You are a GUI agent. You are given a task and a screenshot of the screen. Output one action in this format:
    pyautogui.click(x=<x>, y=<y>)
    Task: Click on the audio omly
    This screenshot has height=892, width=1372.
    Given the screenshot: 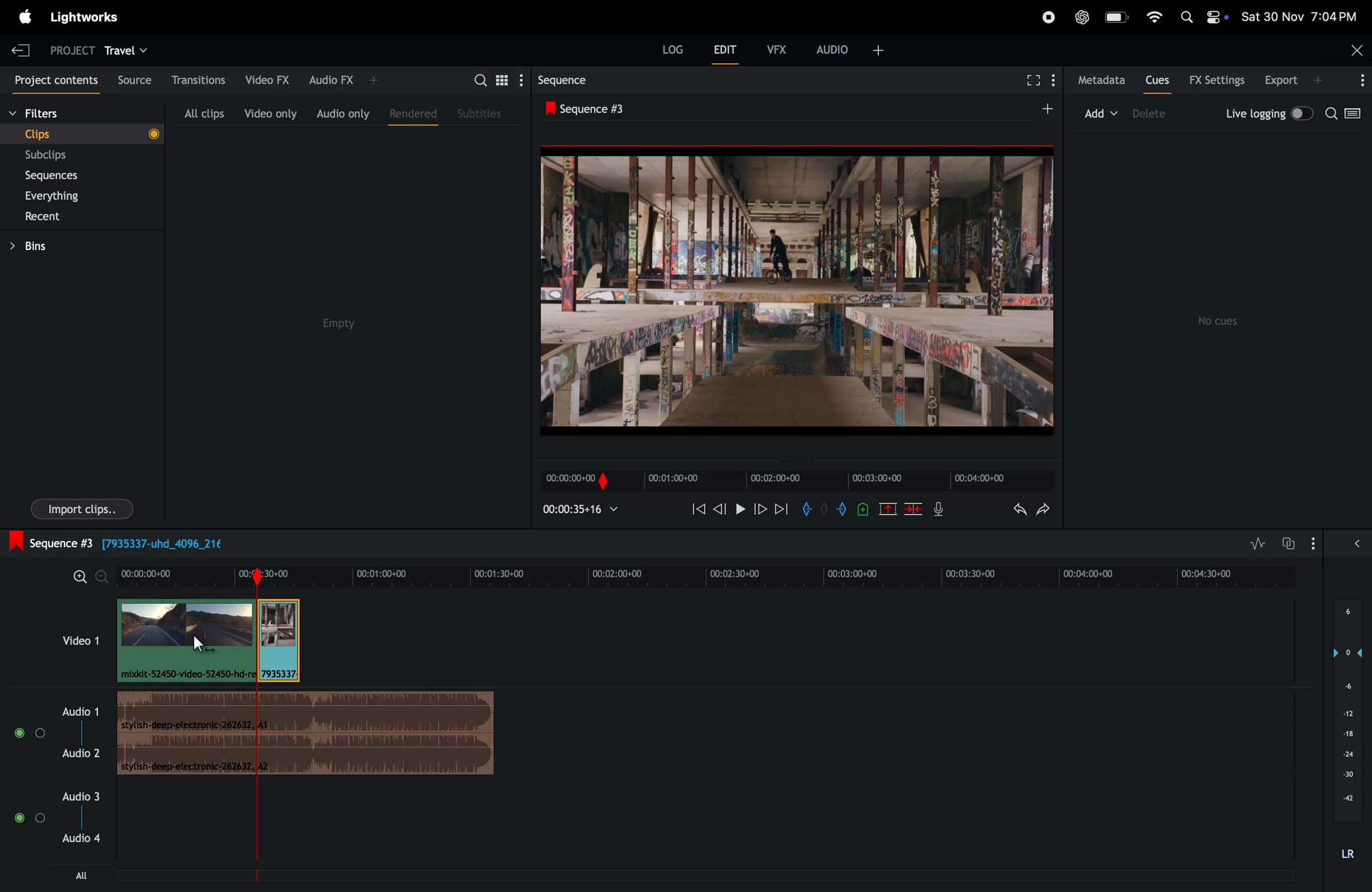 What is the action you would take?
    pyautogui.click(x=342, y=111)
    